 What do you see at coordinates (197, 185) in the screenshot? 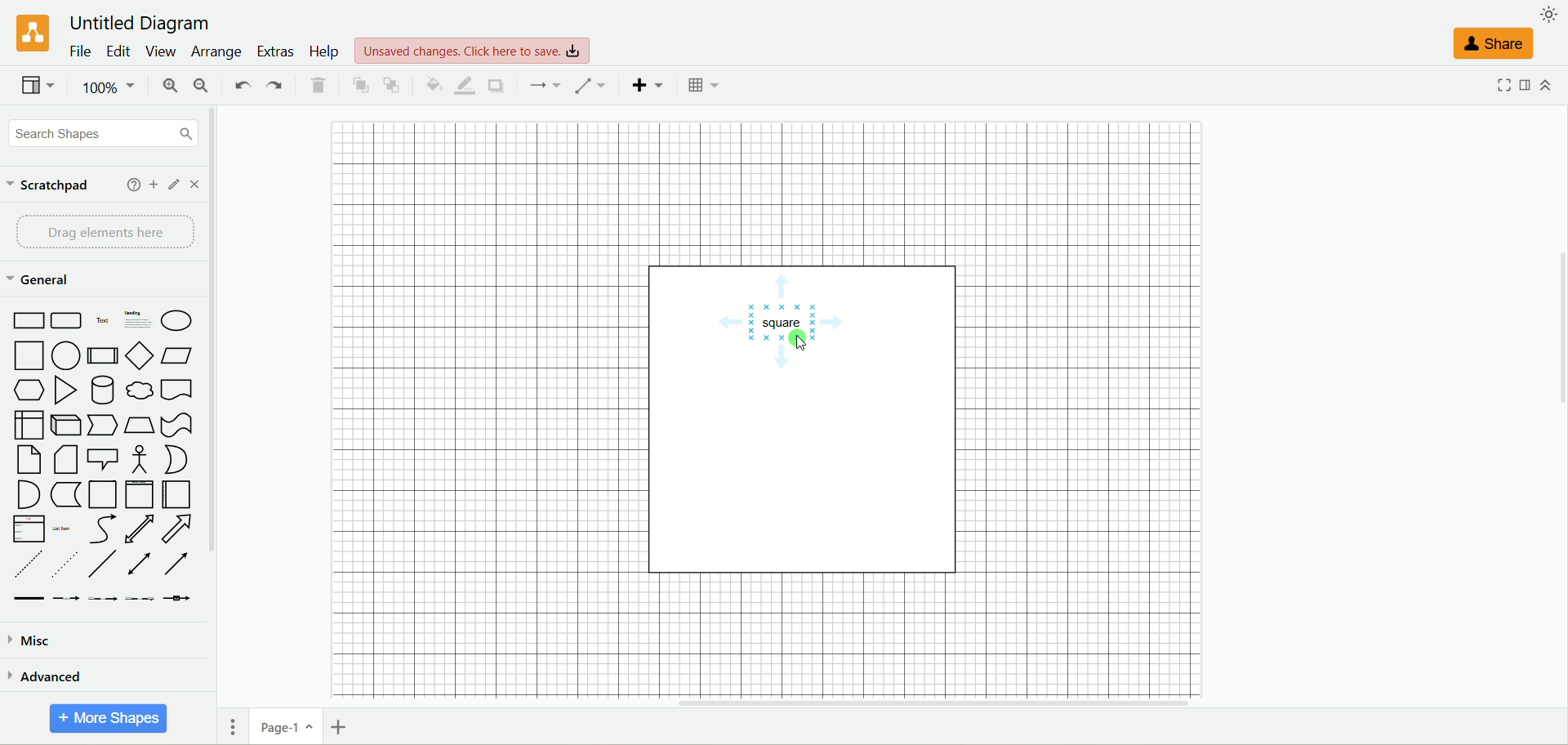
I see `close` at bounding box center [197, 185].